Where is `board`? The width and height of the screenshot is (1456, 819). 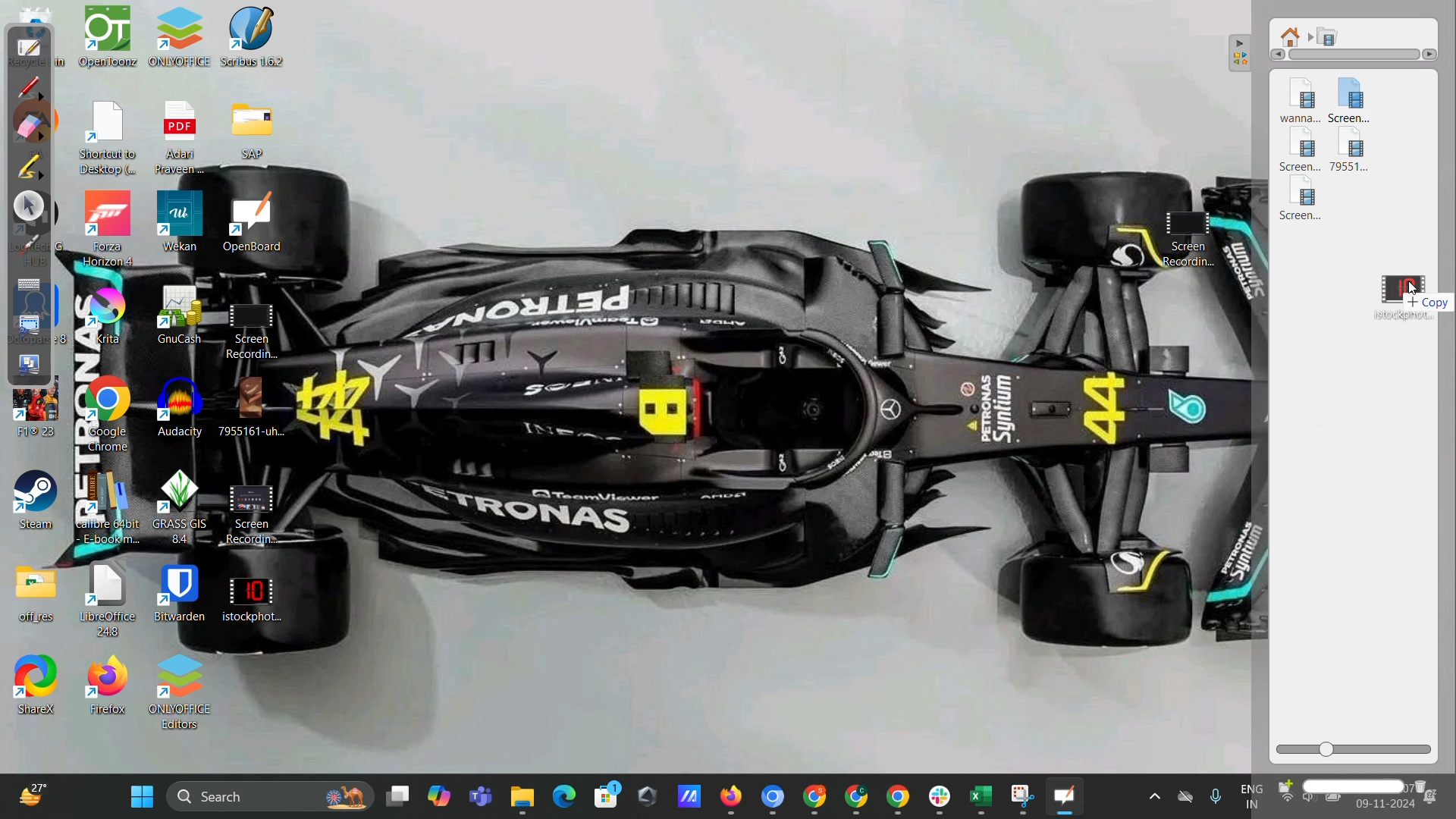 board is located at coordinates (30, 51).